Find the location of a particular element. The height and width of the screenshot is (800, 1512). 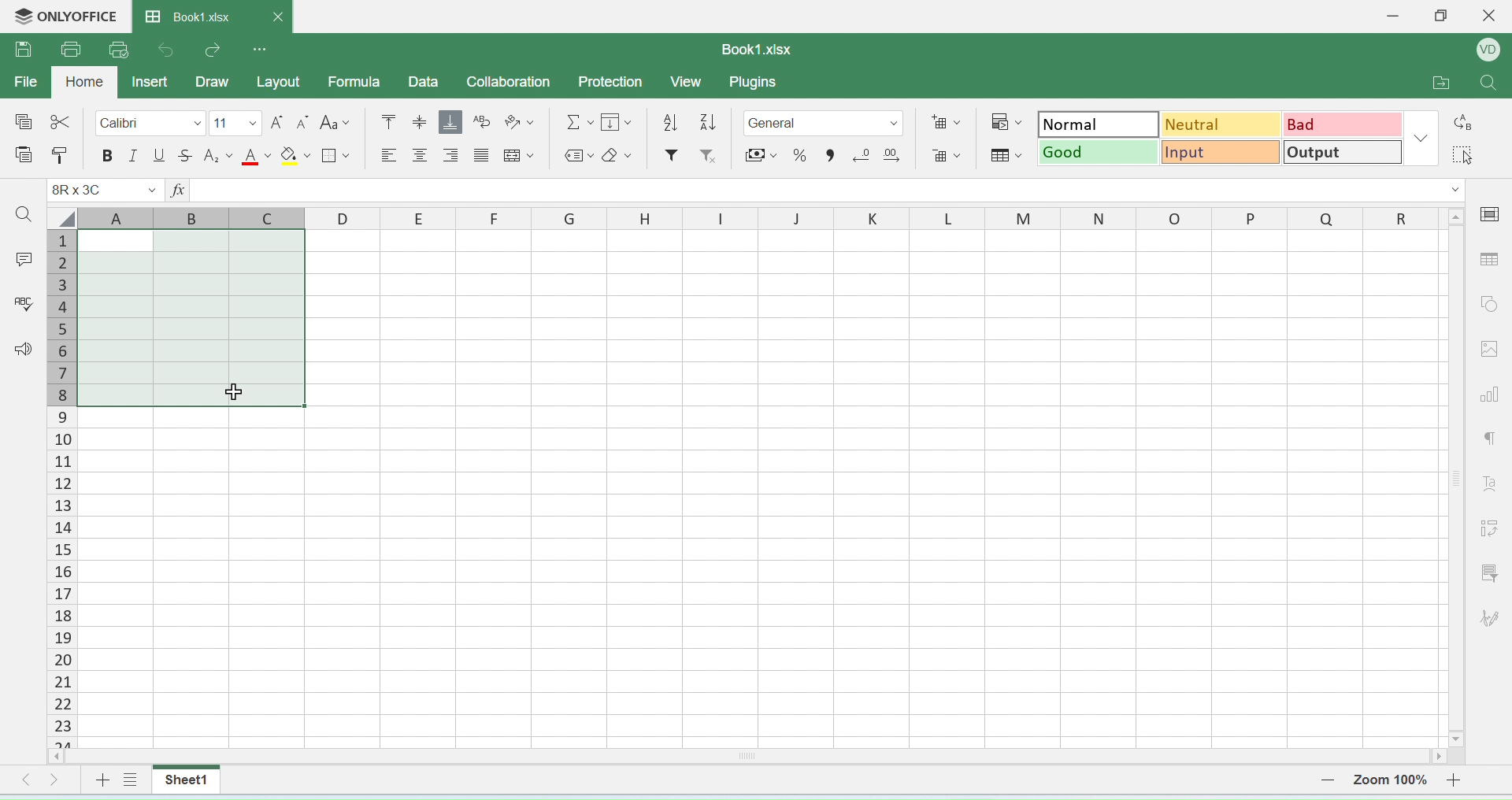

undo is located at coordinates (172, 48).